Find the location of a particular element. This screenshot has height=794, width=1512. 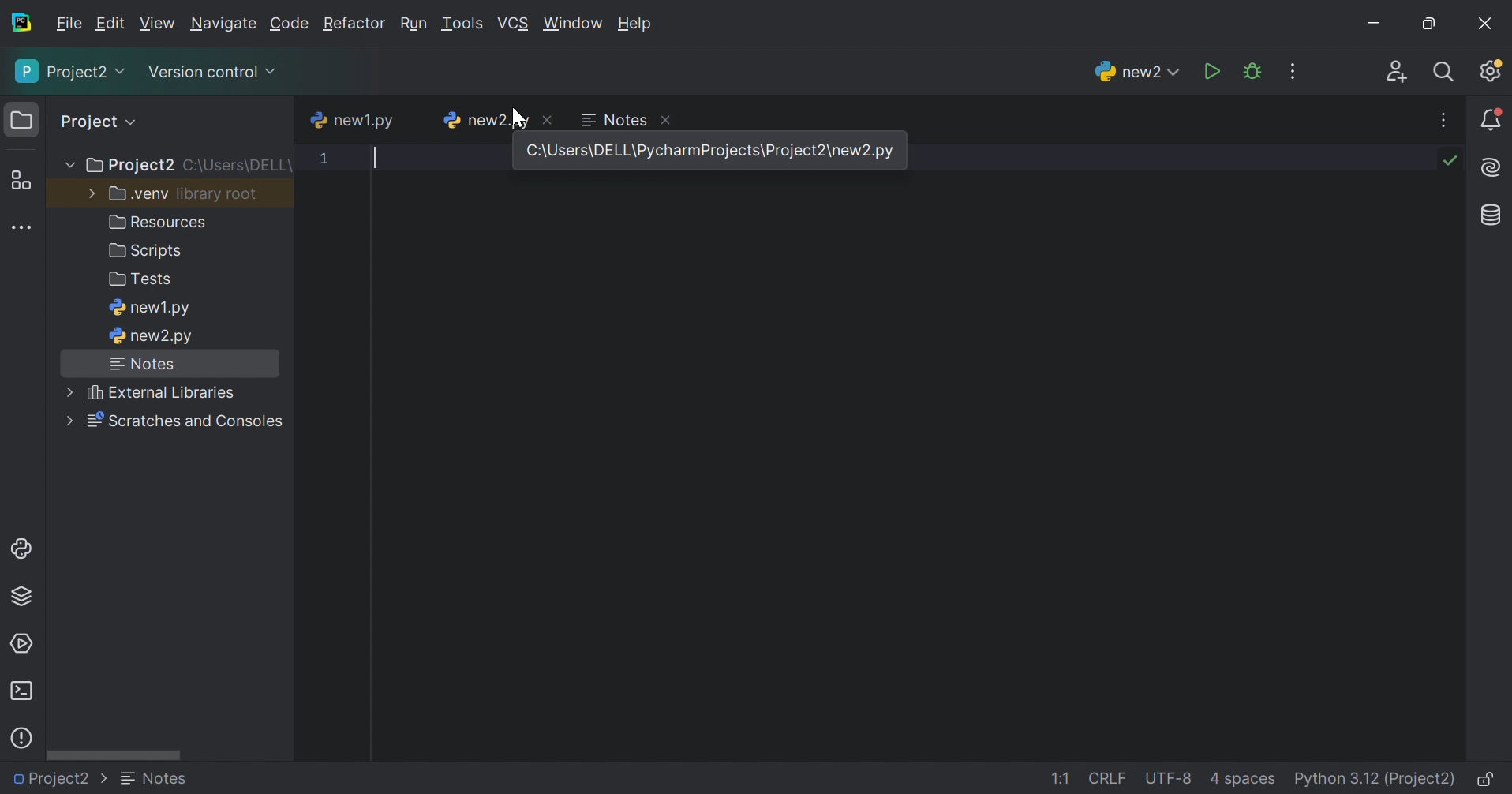

expand all is located at coordinates (134, 121).